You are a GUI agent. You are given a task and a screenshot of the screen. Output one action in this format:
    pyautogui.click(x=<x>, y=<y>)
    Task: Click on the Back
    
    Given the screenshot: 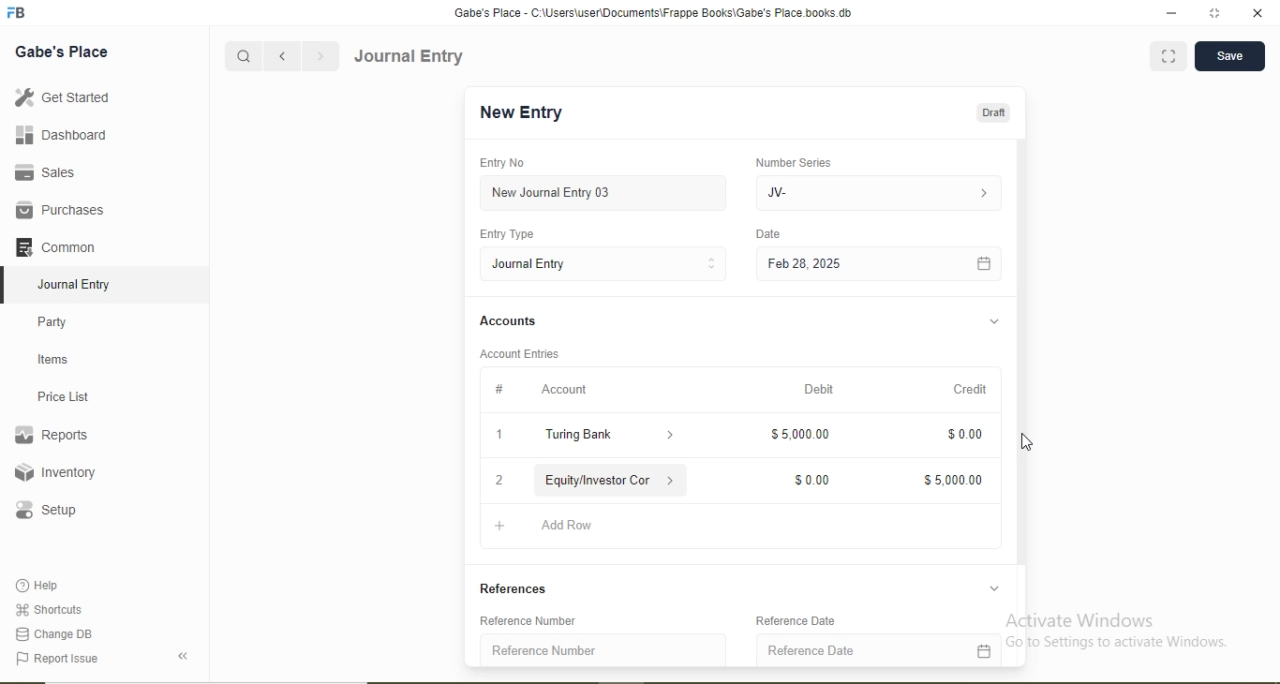 What is the action you would take?
    pyautogui.click(x=182, y=656)
    